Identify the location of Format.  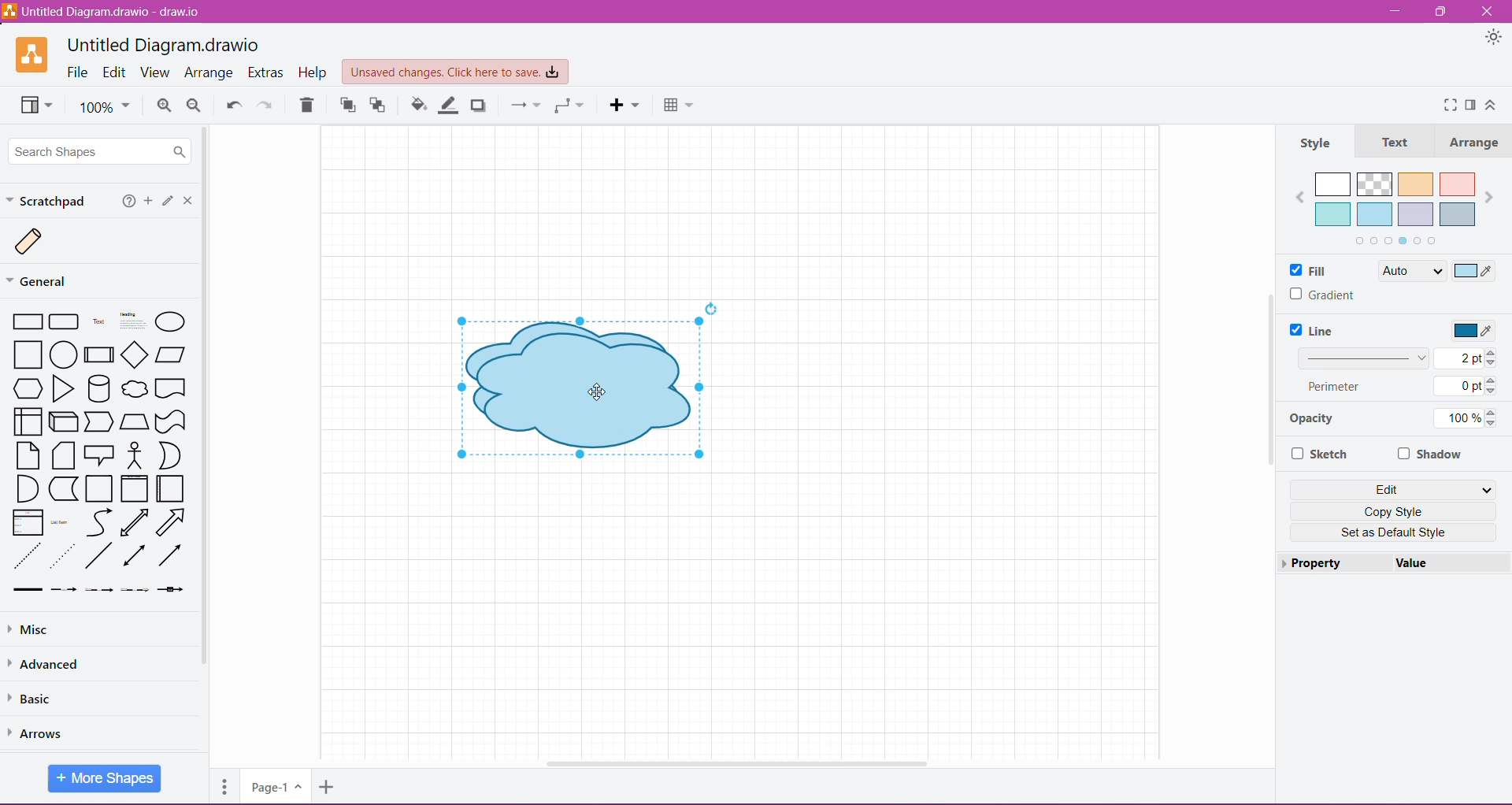
(1471, 104).